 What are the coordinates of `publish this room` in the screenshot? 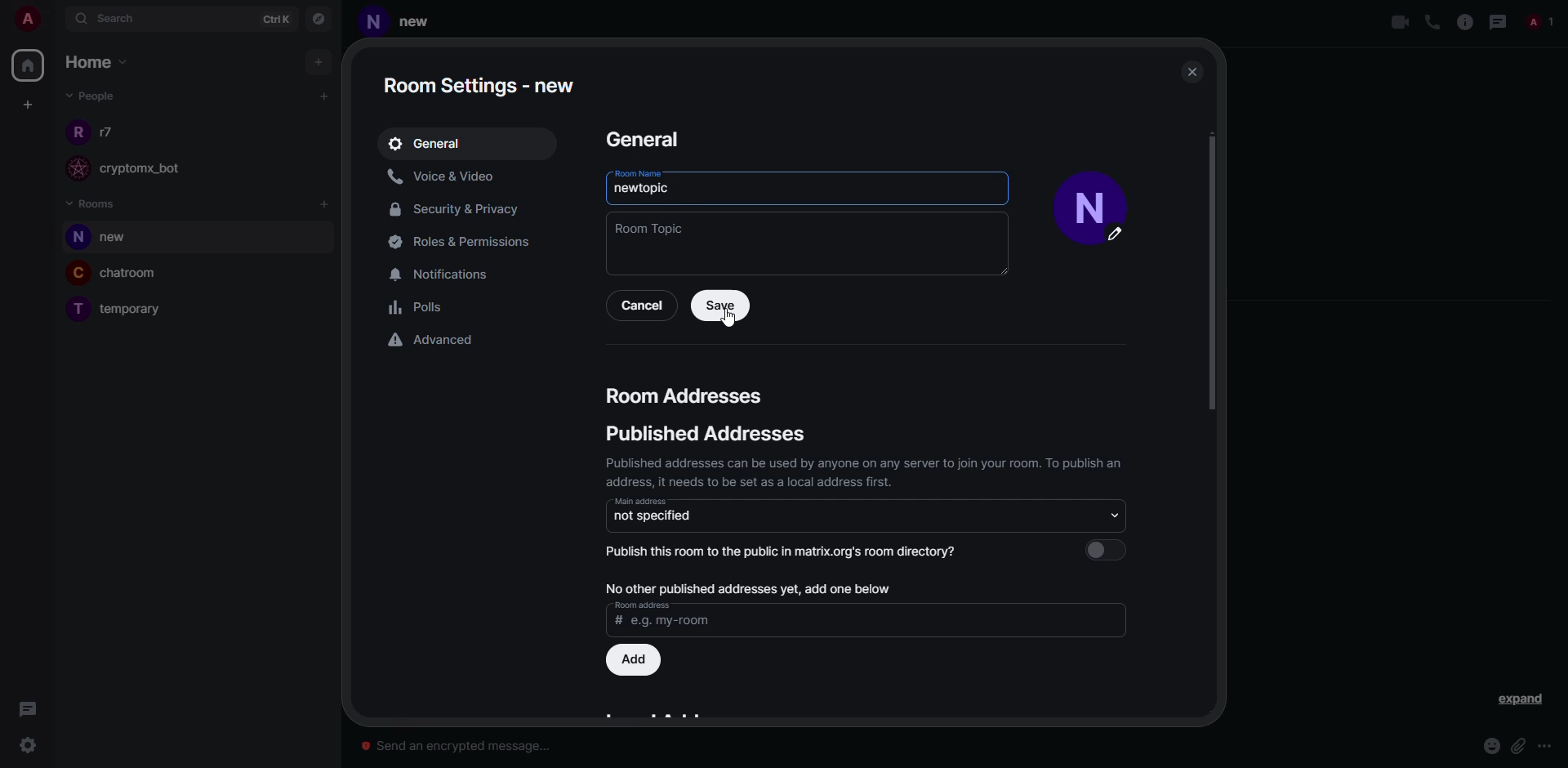 It's located at (789, 551).